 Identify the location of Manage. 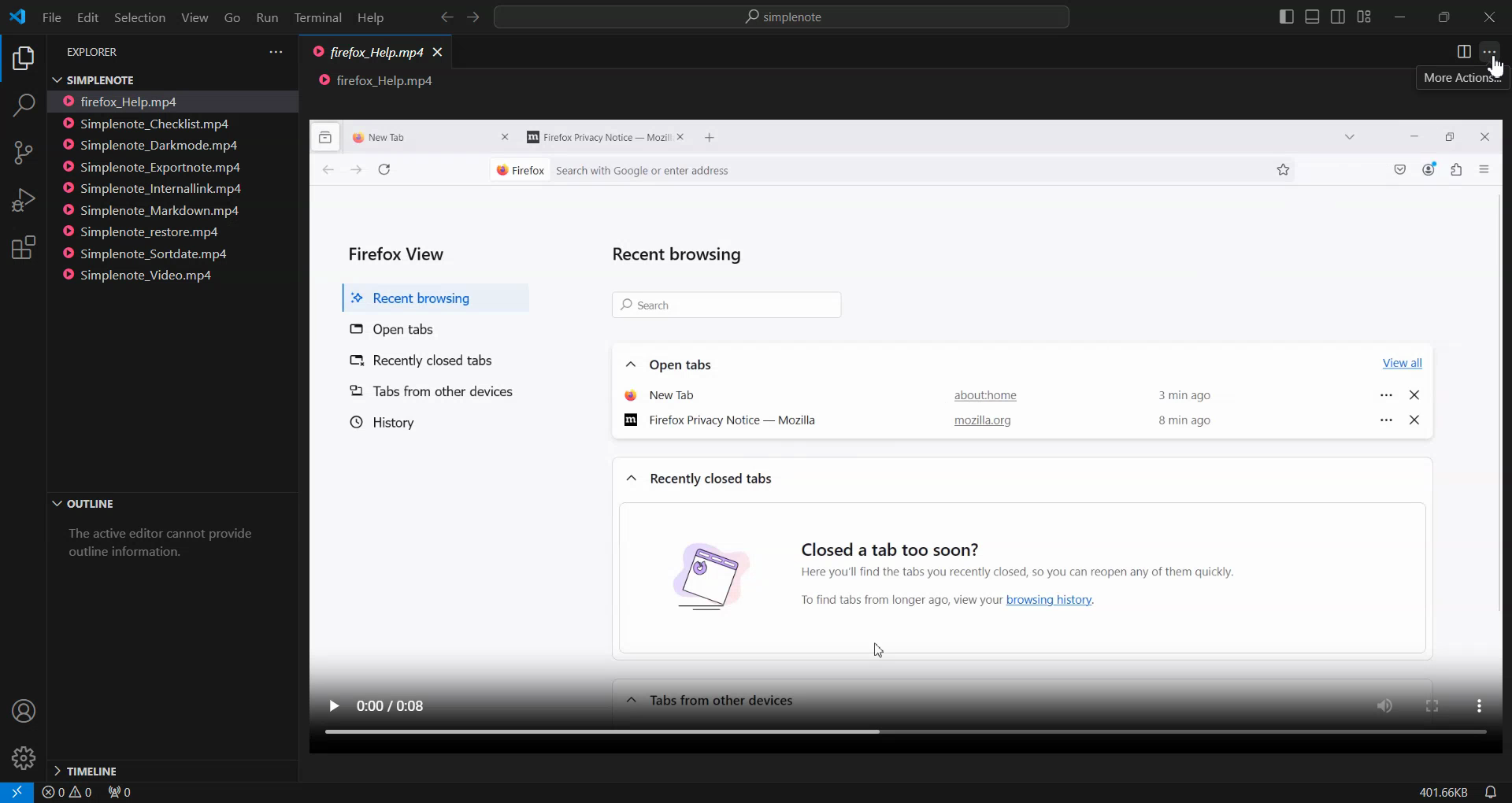
(24, 758).